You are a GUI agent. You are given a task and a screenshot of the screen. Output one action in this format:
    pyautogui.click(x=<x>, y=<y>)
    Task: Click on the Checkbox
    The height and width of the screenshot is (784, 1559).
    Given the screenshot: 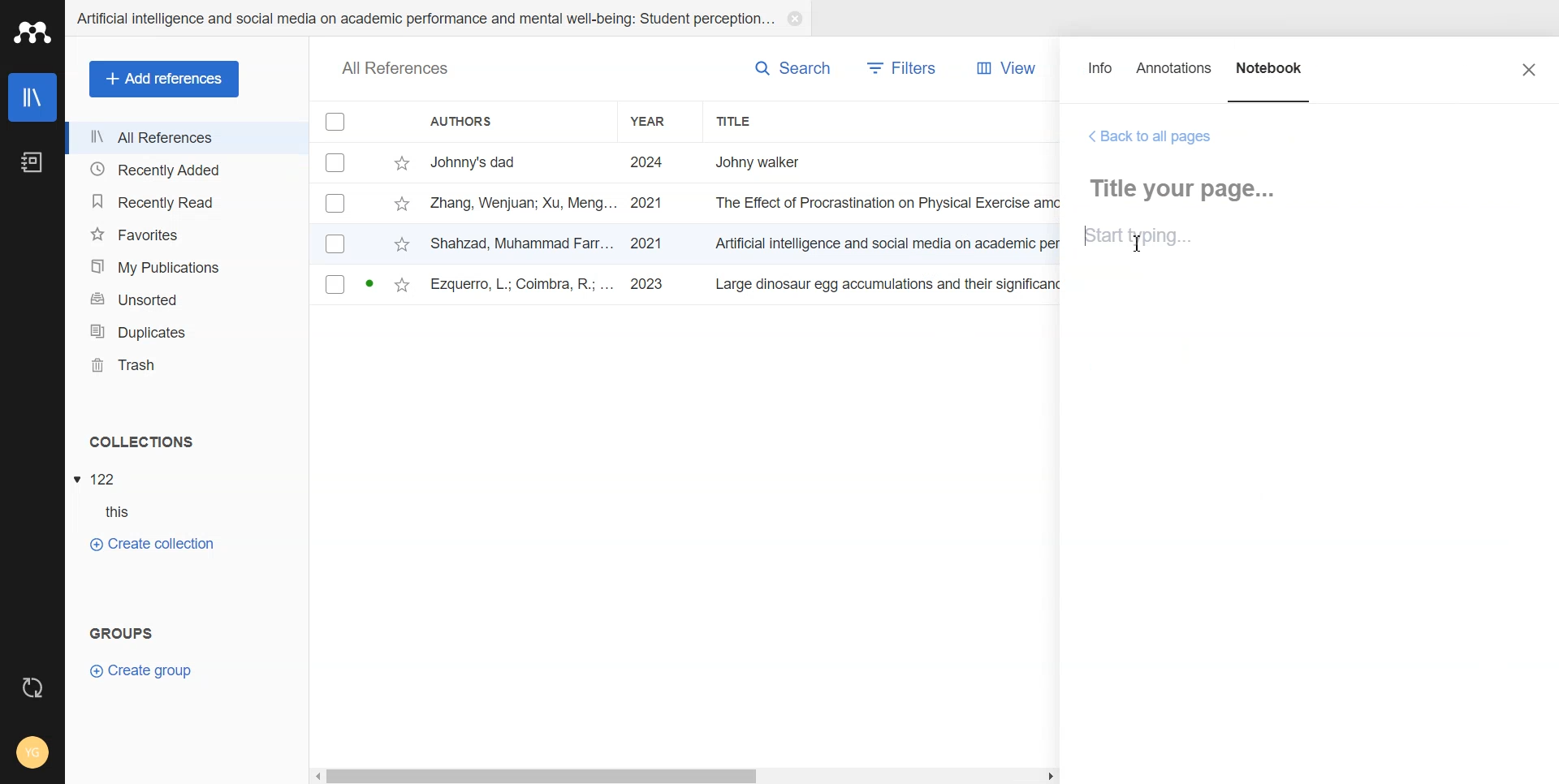 What is the action you would take?
    pyautogui.click(x=337, y=121)
    